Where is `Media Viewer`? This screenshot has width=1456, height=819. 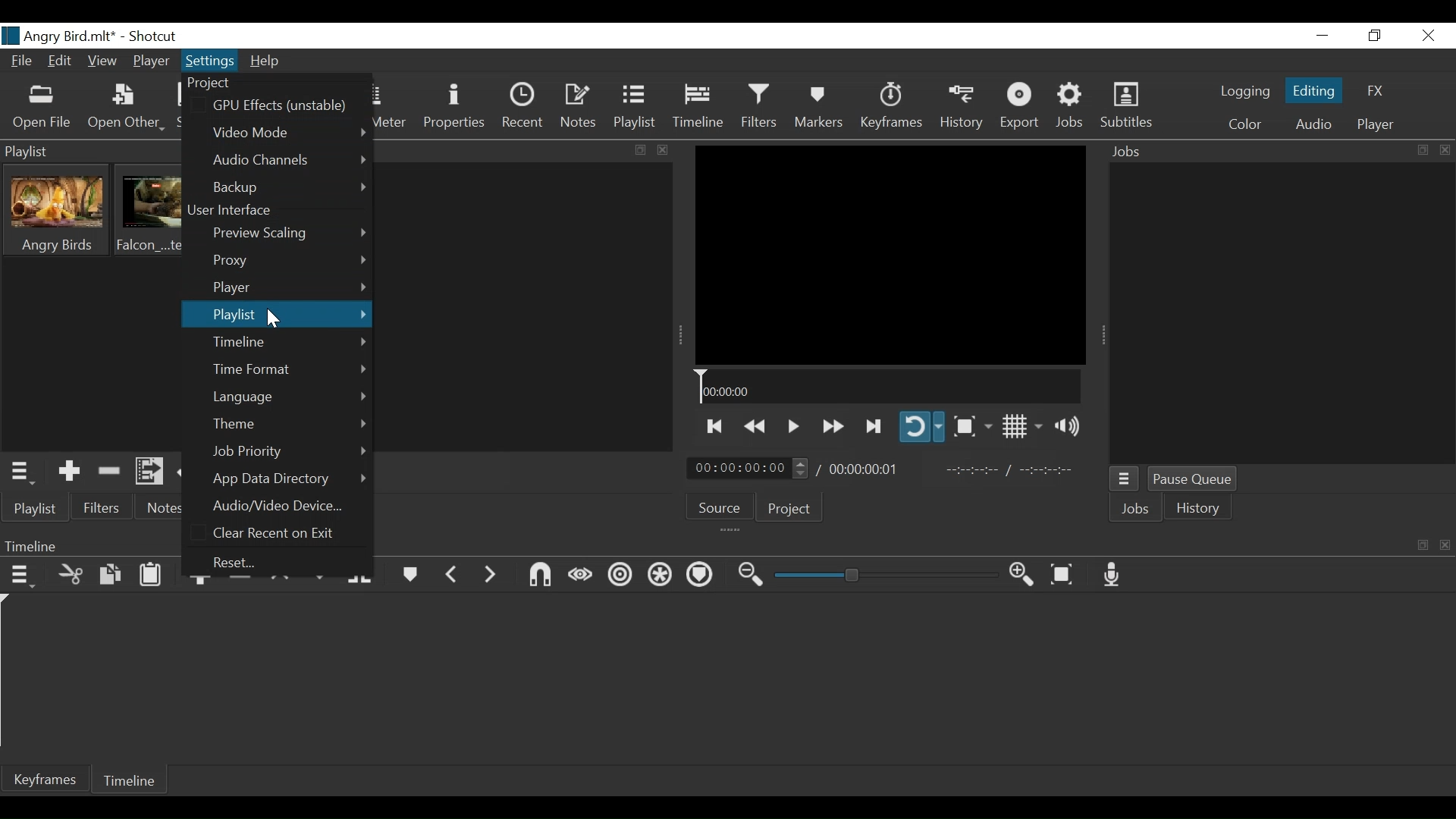 Media Viewer is located at coordinates (891, 254).